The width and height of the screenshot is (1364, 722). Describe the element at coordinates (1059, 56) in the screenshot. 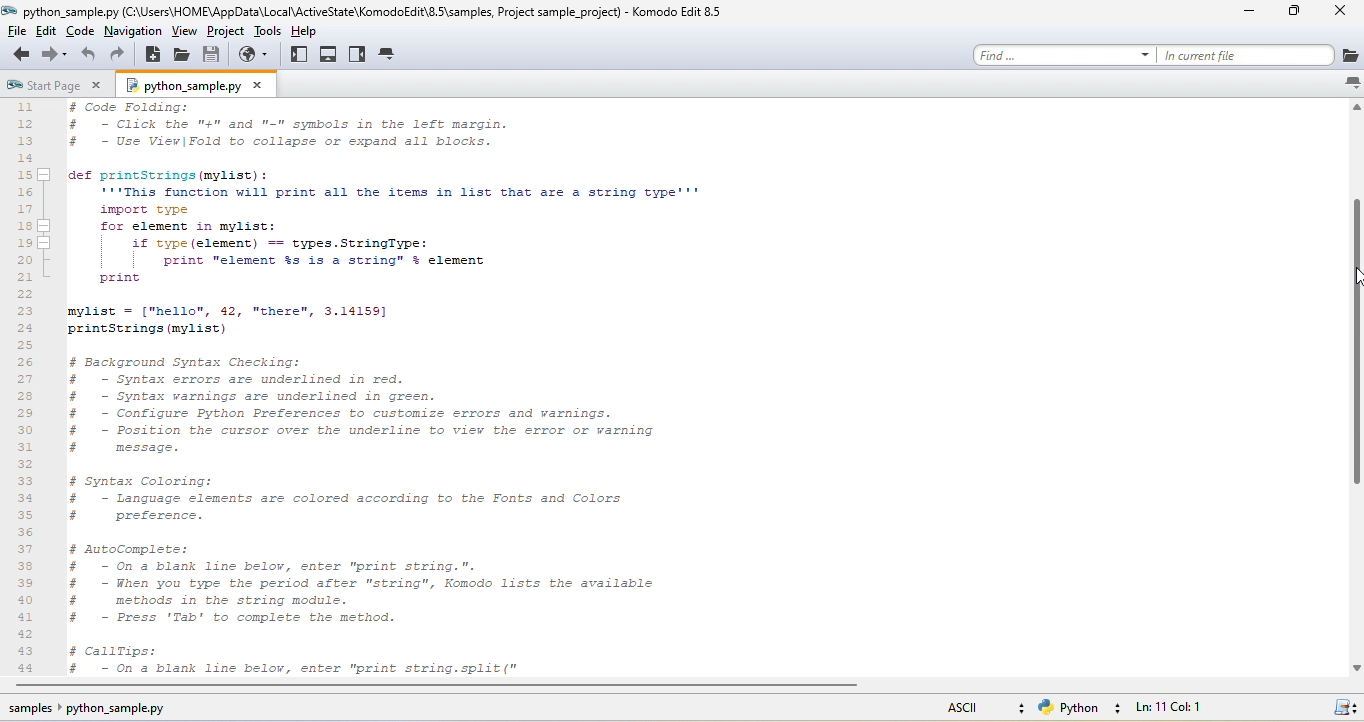

I see `find` at that location.